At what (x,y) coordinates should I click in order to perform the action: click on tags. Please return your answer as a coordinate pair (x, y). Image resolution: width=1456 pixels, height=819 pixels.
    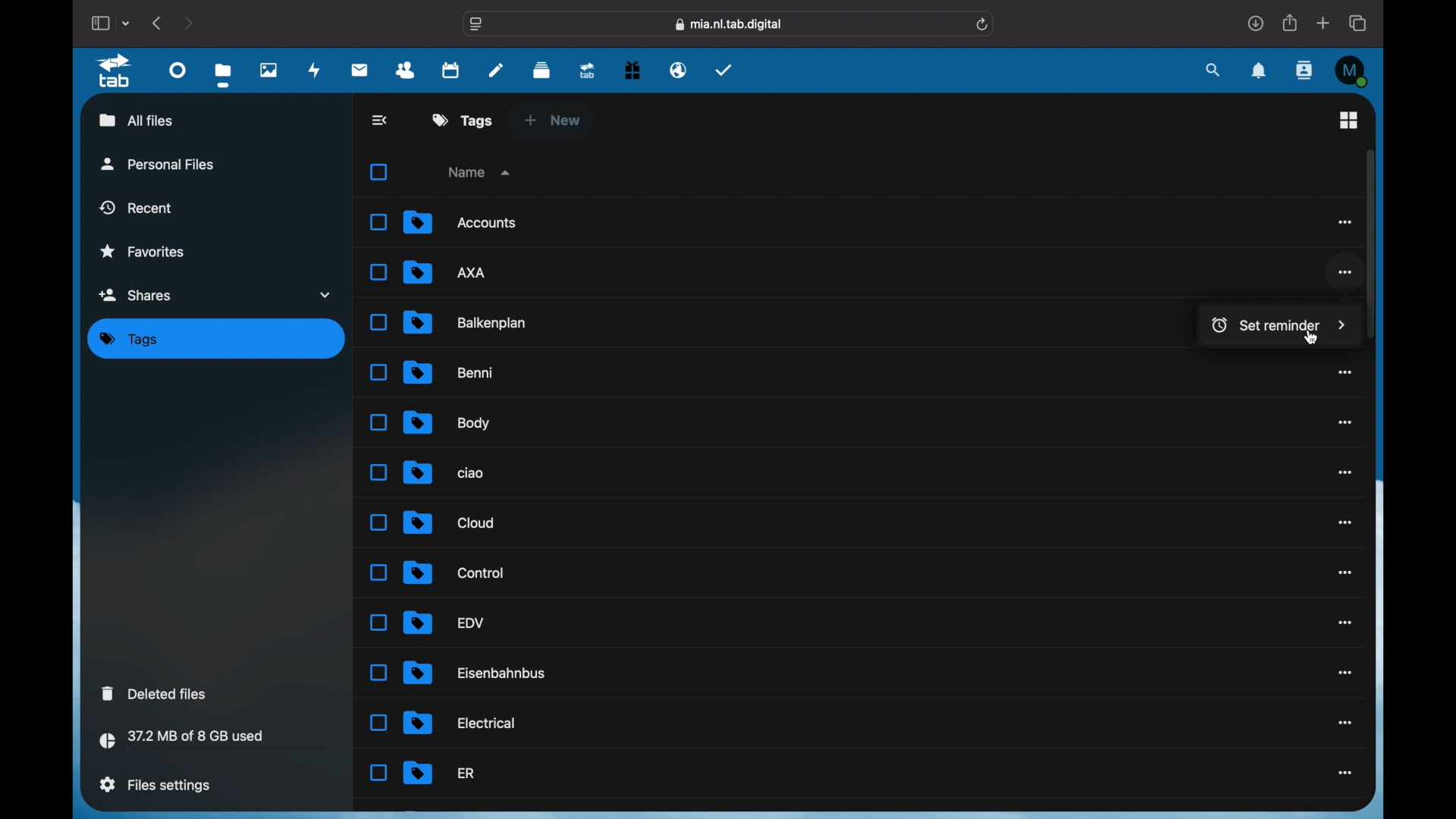
    Looking at the image, I should click on (463, 120).